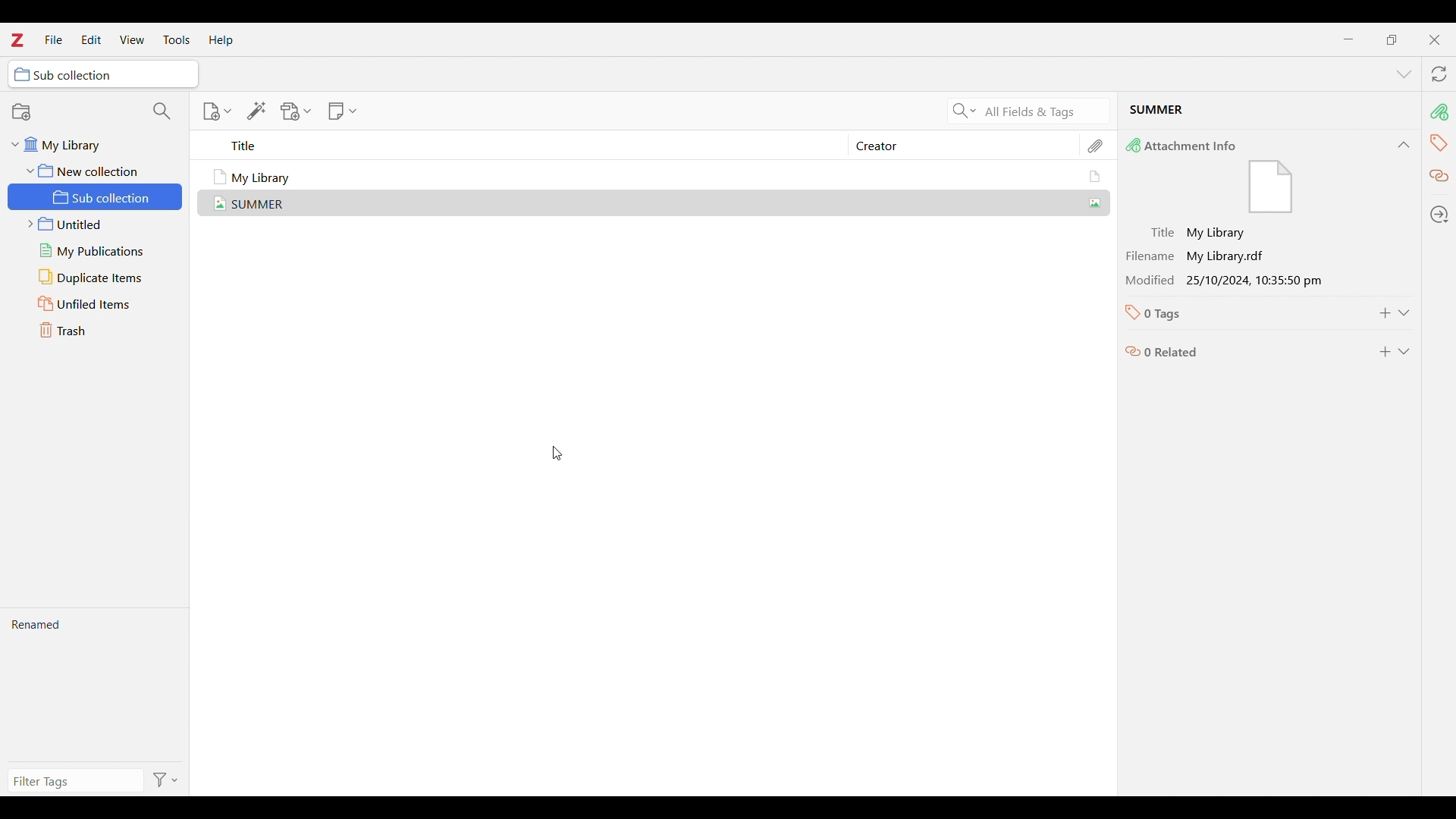  I want to click on Title , so click(532, 146).